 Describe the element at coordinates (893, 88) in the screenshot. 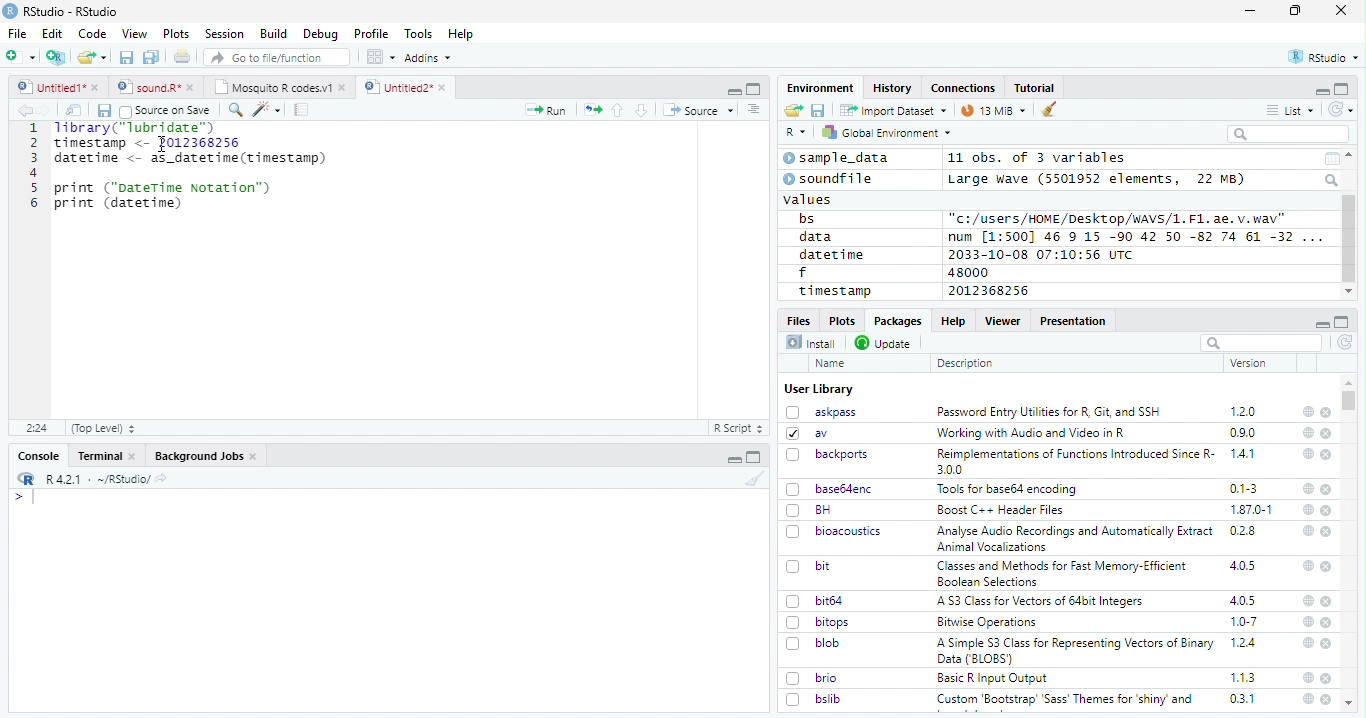

I see `History` at that location.